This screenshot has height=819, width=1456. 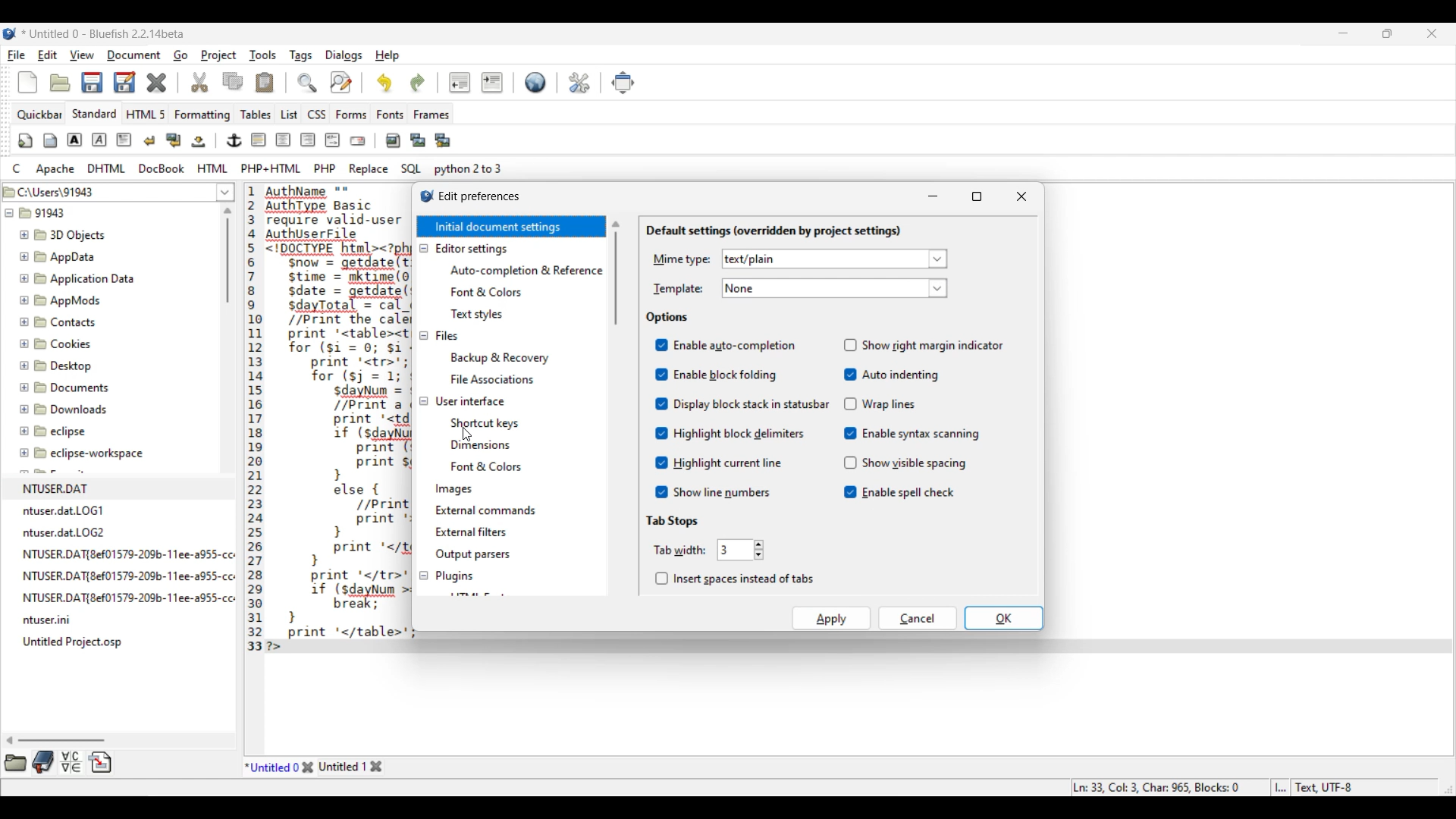 I want to click on Go menu, so click(x=180, y=55).